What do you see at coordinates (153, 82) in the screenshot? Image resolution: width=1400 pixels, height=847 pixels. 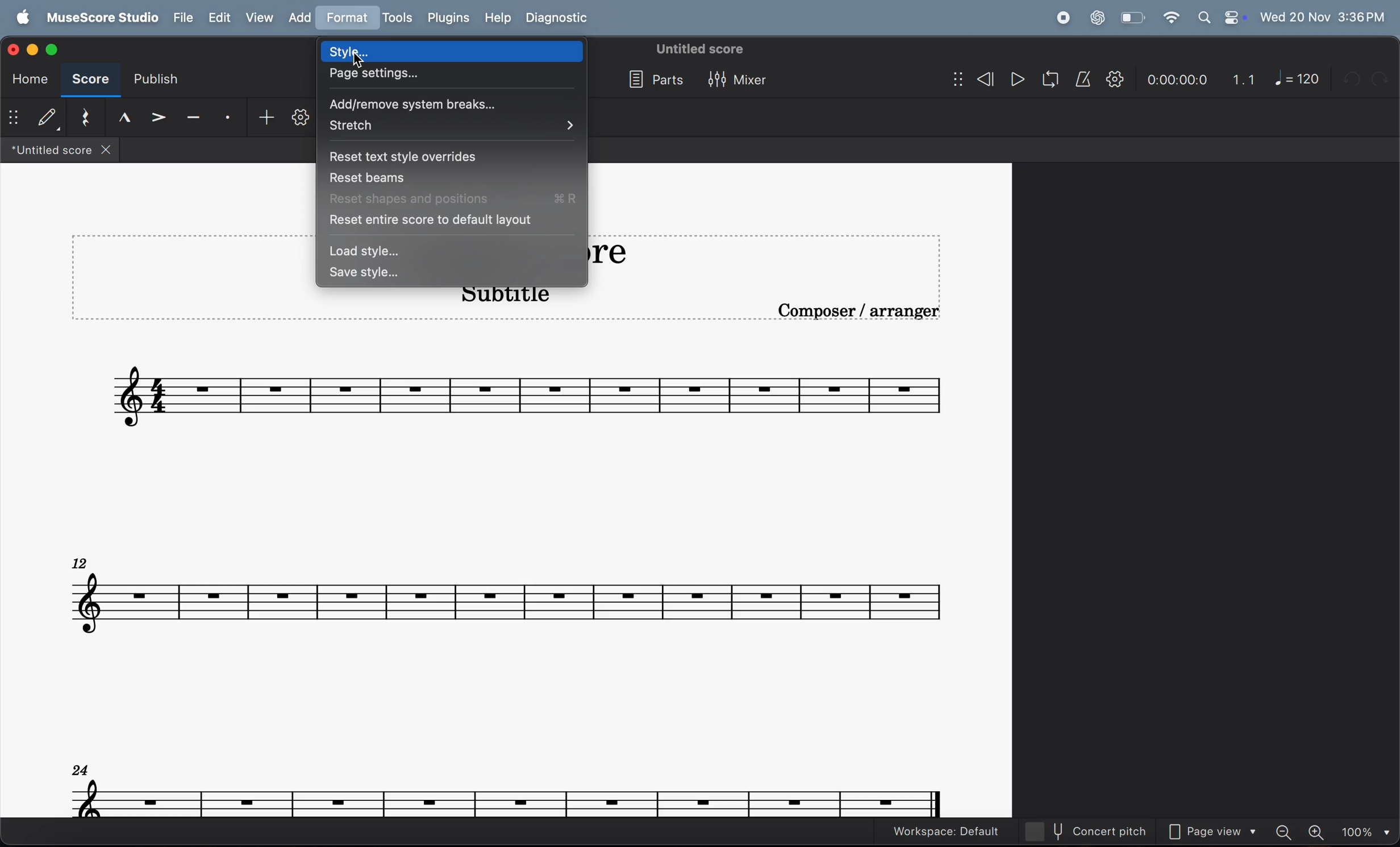 I see `publish` at bounding box center [153, 82].